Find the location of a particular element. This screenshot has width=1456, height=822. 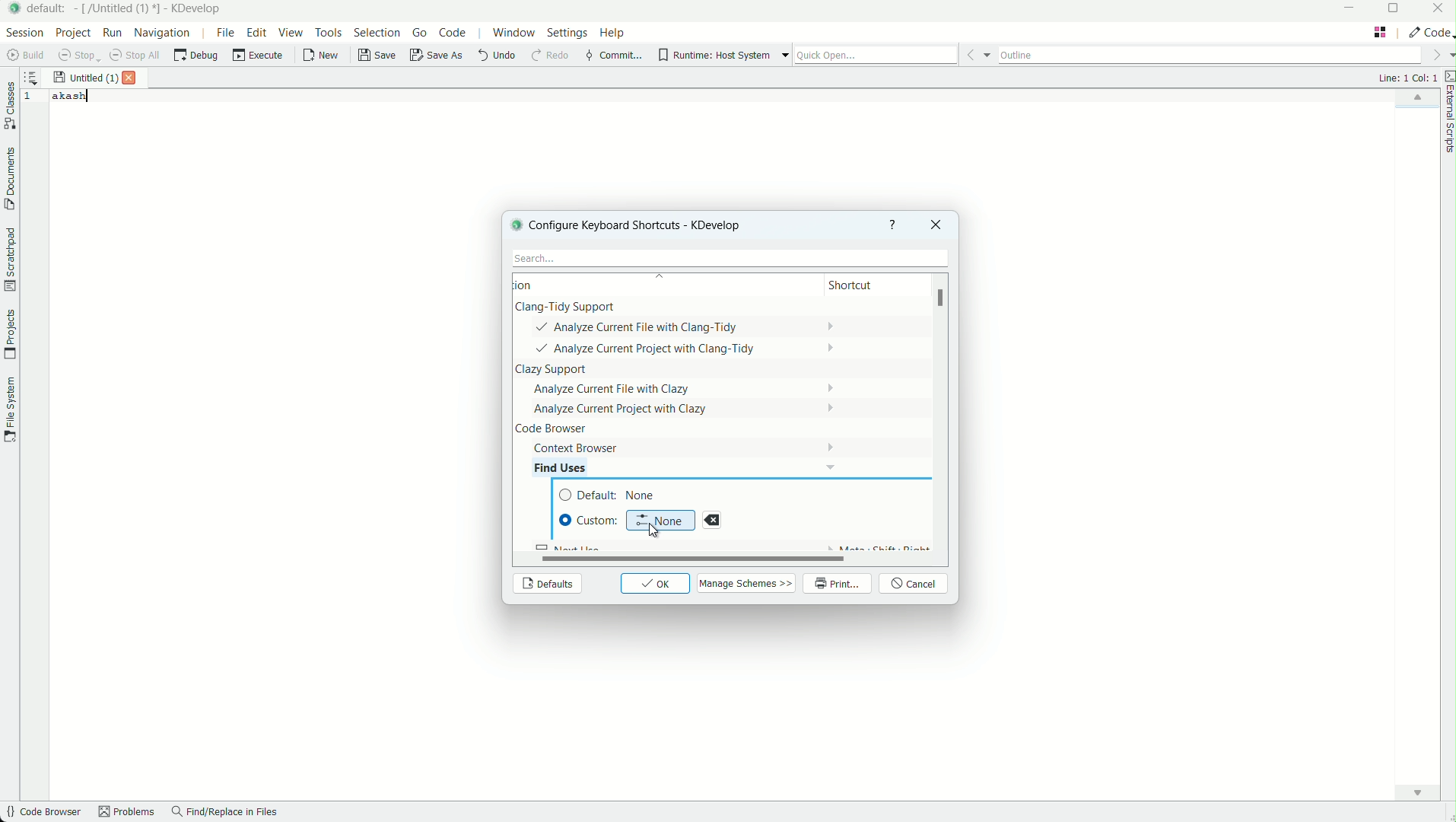

akash is located at coordinates (71, 96).